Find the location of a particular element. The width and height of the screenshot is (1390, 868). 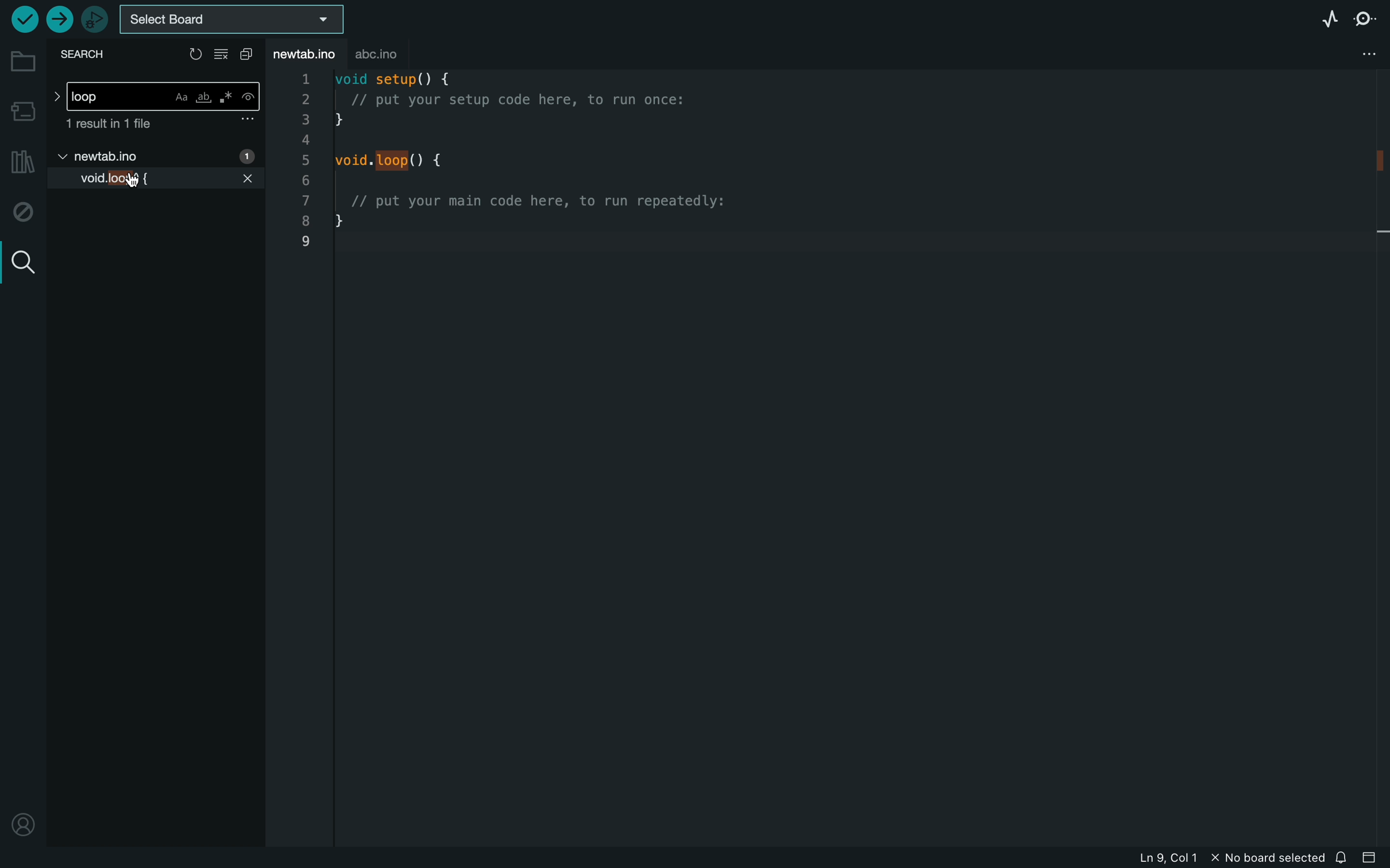

cursor is located at coordinates (130, 181).